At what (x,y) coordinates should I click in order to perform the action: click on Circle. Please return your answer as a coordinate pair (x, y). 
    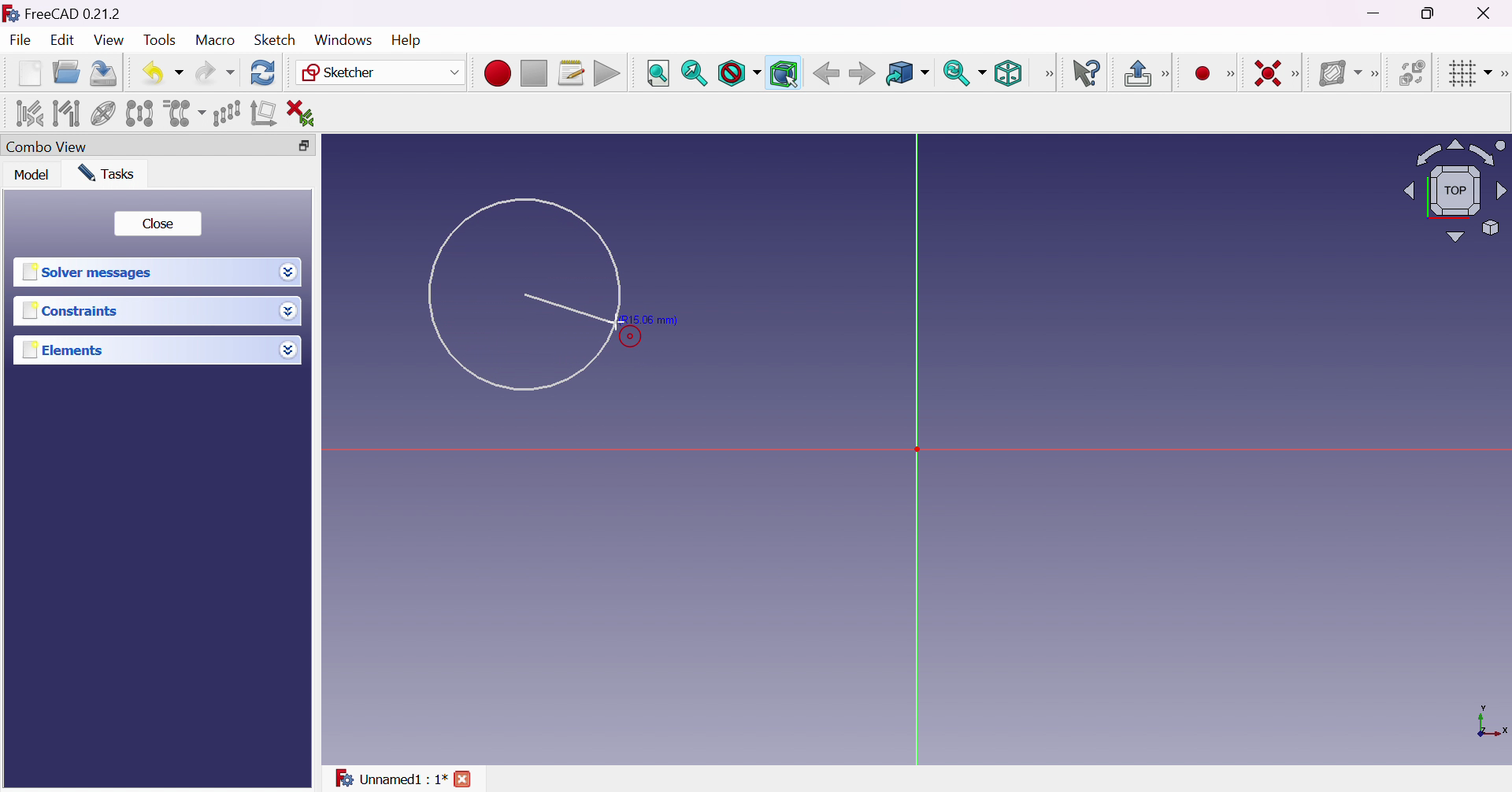
    Looking at the image, I should click on (523, 294).